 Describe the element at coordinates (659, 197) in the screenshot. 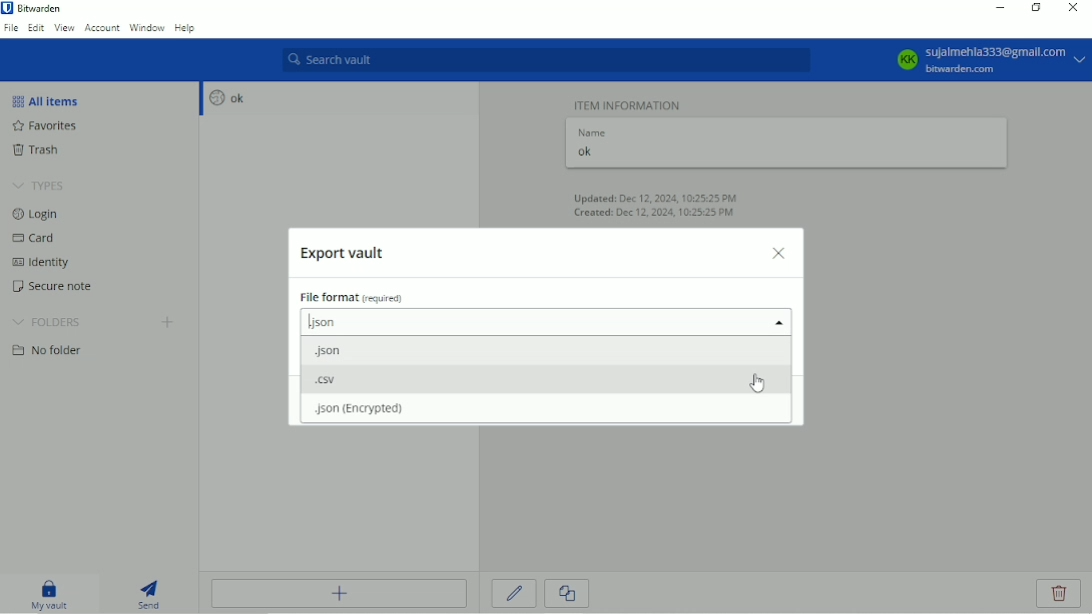

I see `Updated: Dec 12, 2024,    10:25:25 PM` at that location.